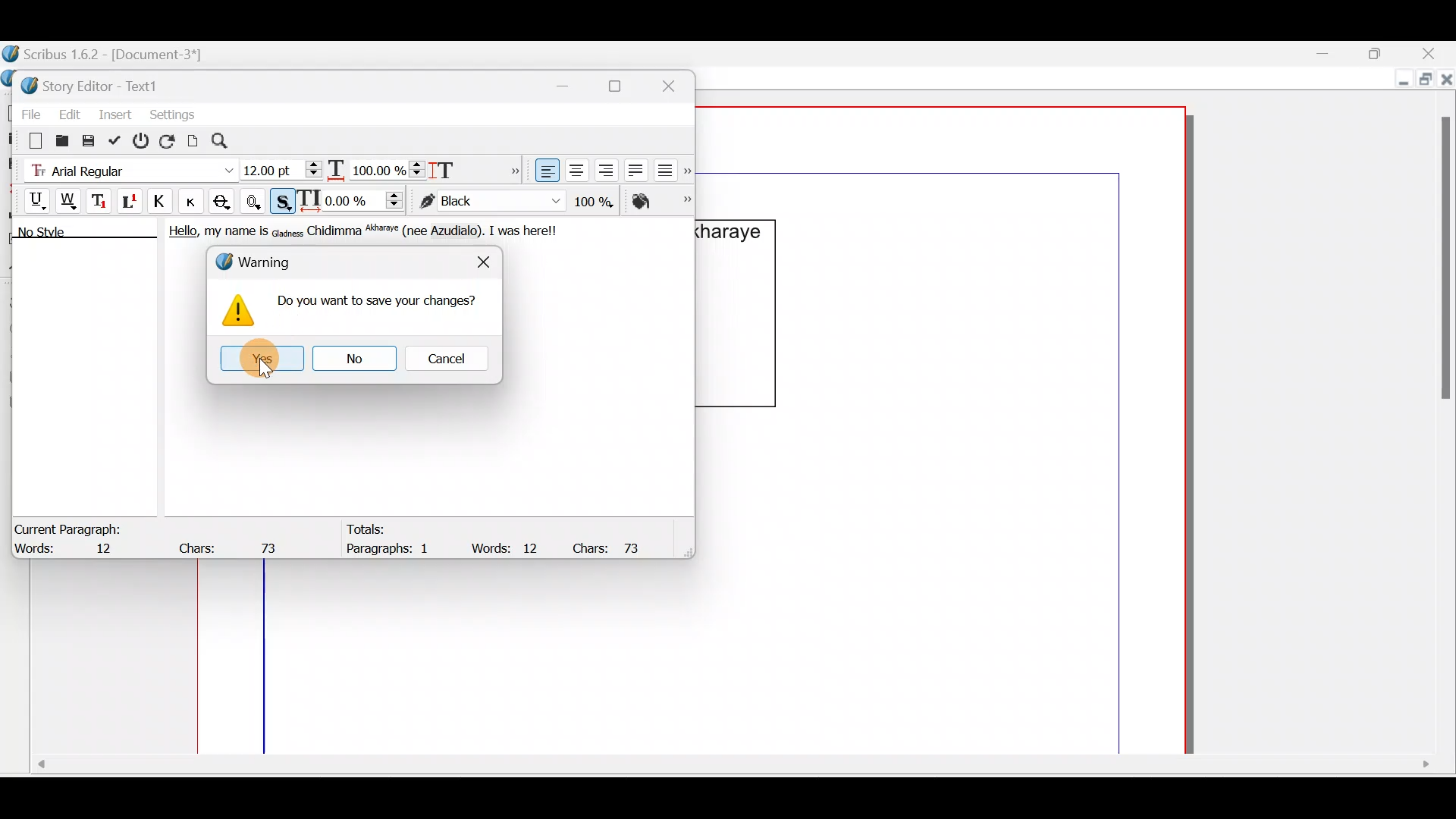 The image size is (1456, 819). Describe the element at coordinates (460, 231) in the screenshot. I see `Azudialo).` at that location.